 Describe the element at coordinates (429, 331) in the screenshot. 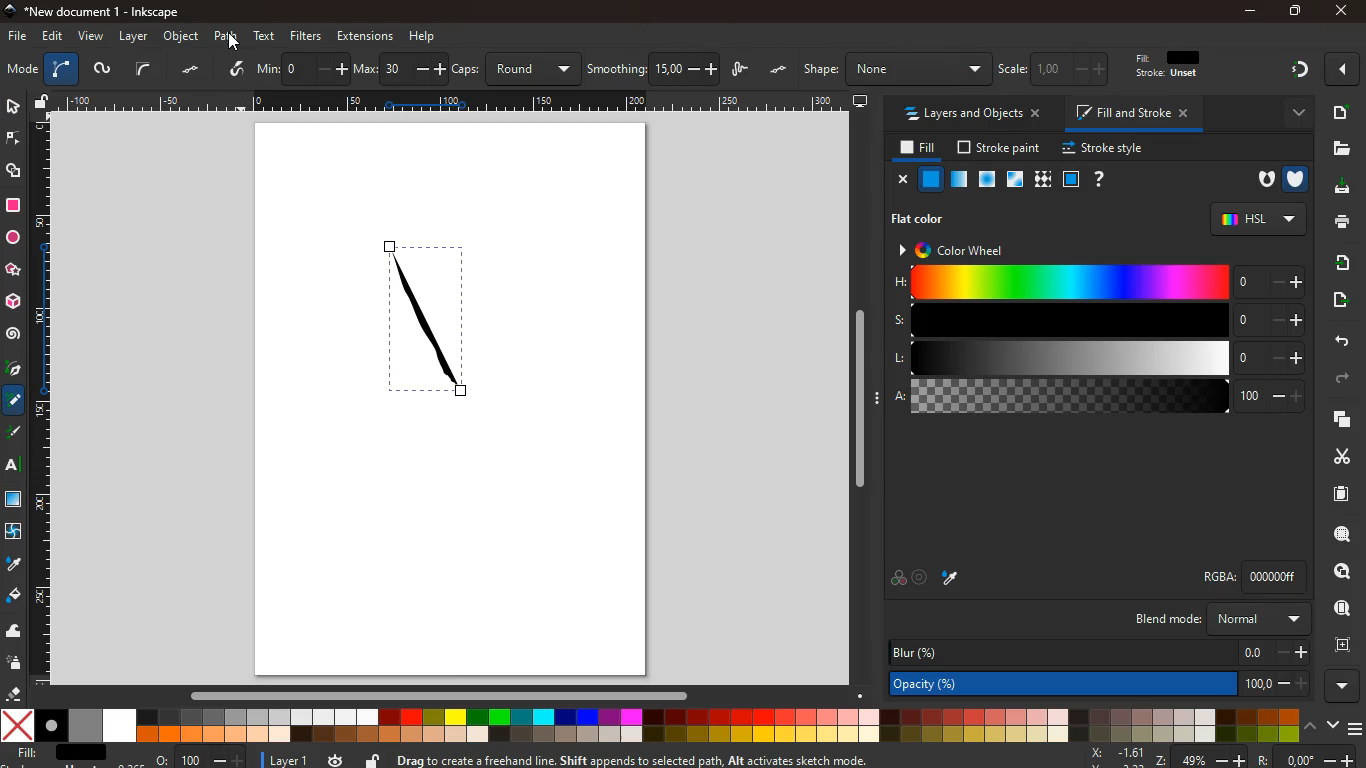

I see `draw` at that location.